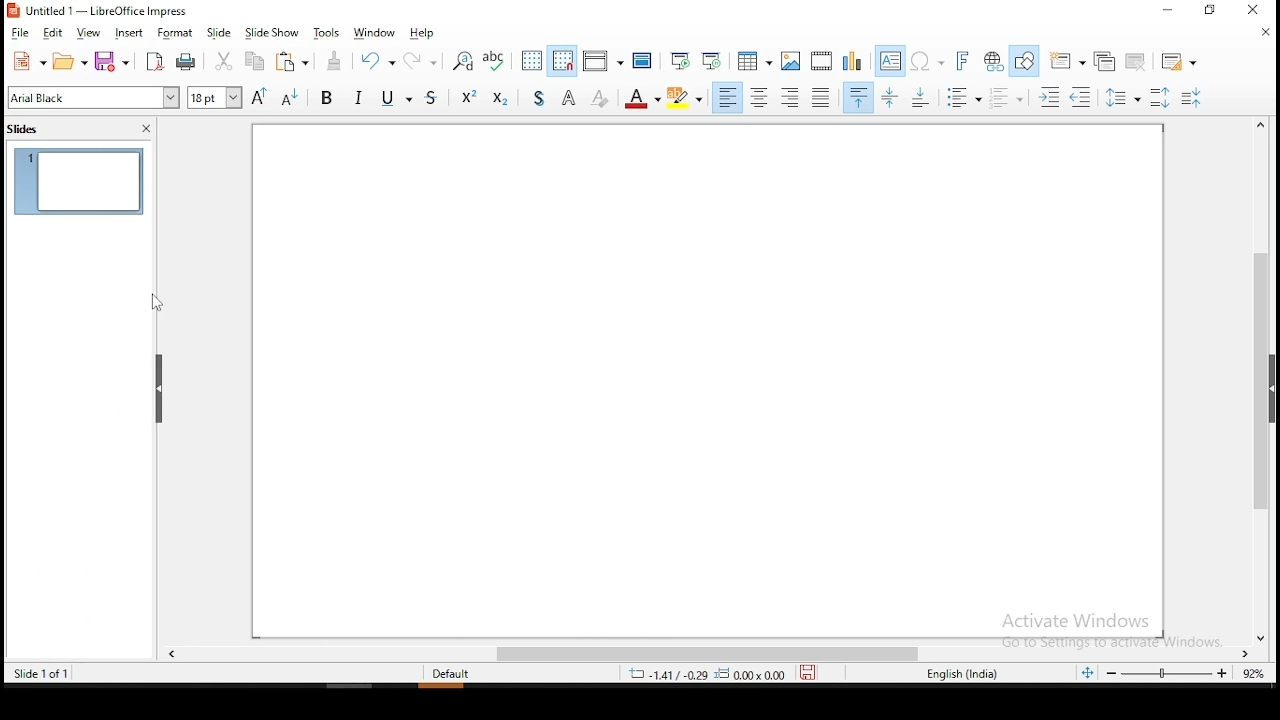 The width and height of the screenshot is (1280, 720). What do you see at coordinates (1108, 60) in the screenshot?
I see `duplicate slide` at bounding box center [1108, 60].